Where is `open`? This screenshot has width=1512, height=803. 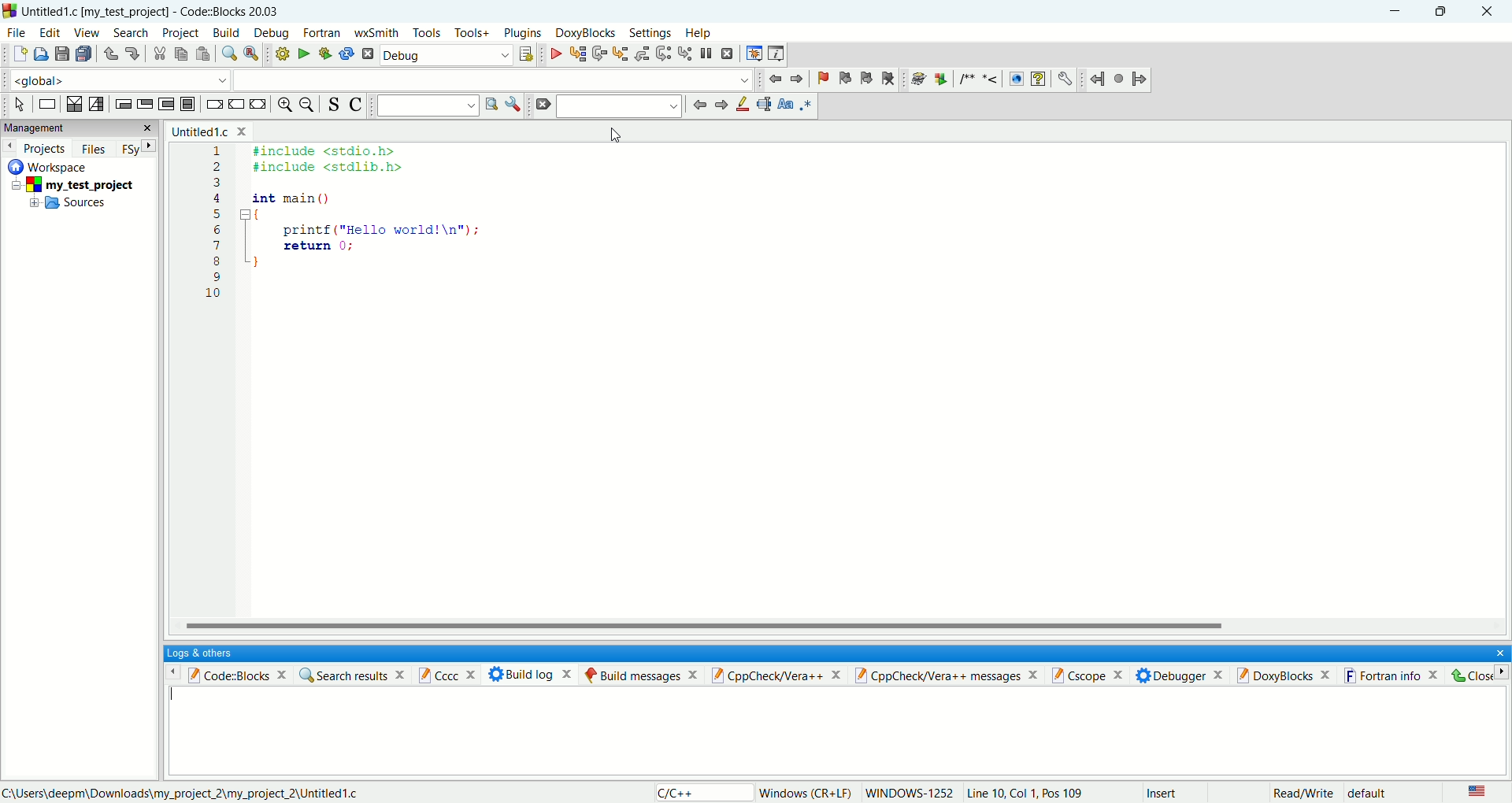 open is located at coordinates (39, 54).